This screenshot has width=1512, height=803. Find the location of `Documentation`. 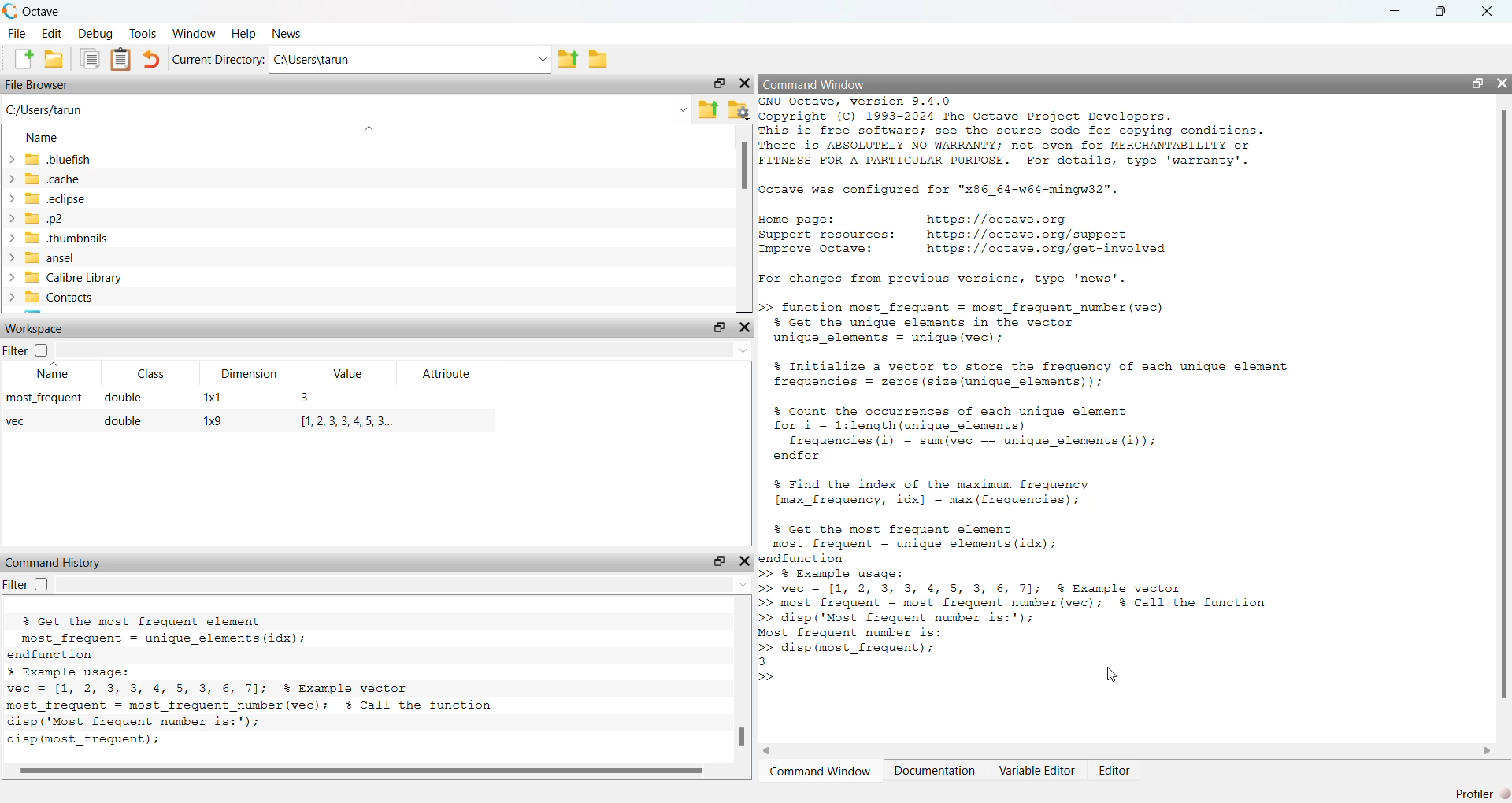

Documentation is located at coordinates (935, 771).